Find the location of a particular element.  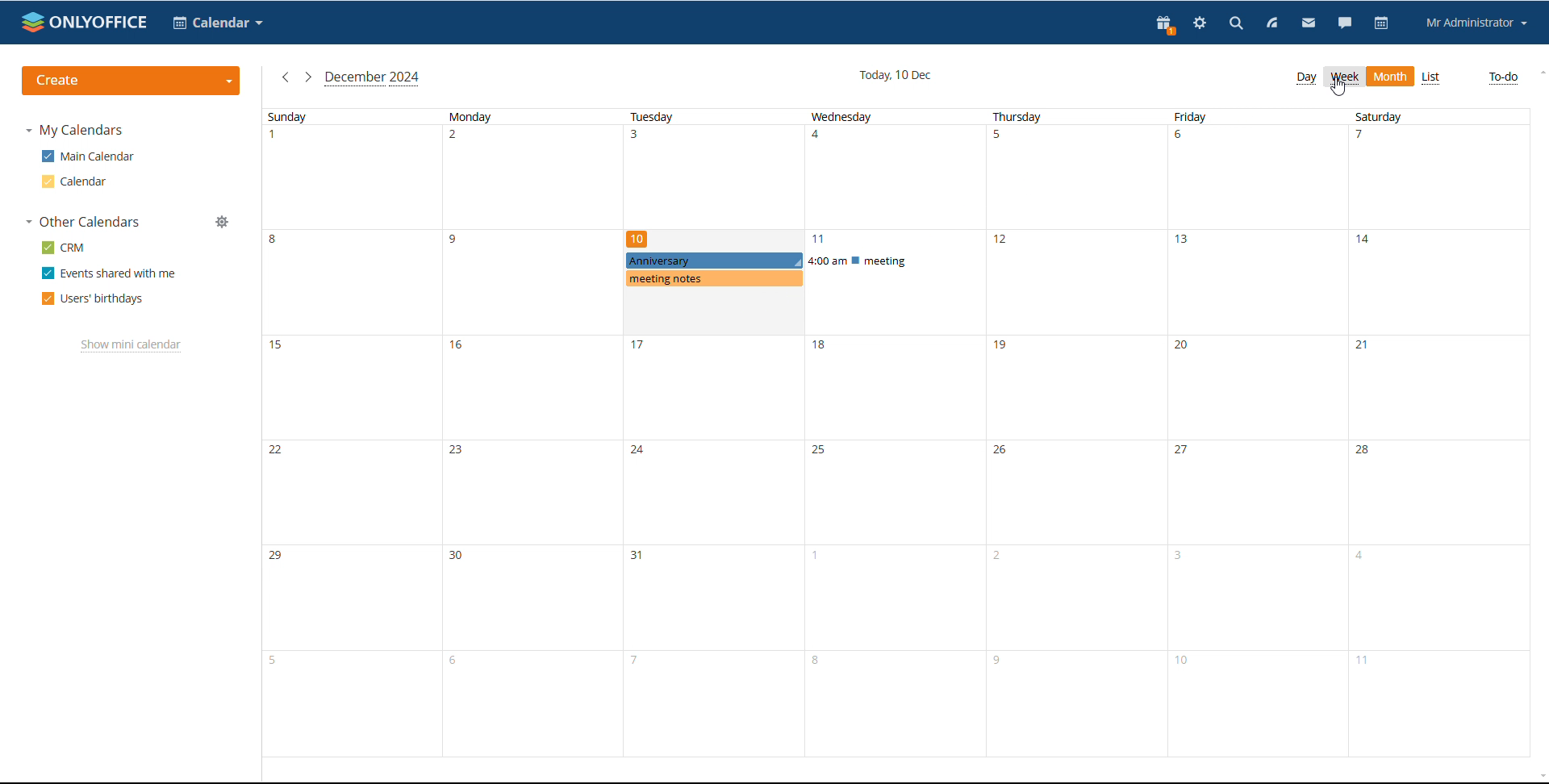

month view is located at coordinates (1391, 77).